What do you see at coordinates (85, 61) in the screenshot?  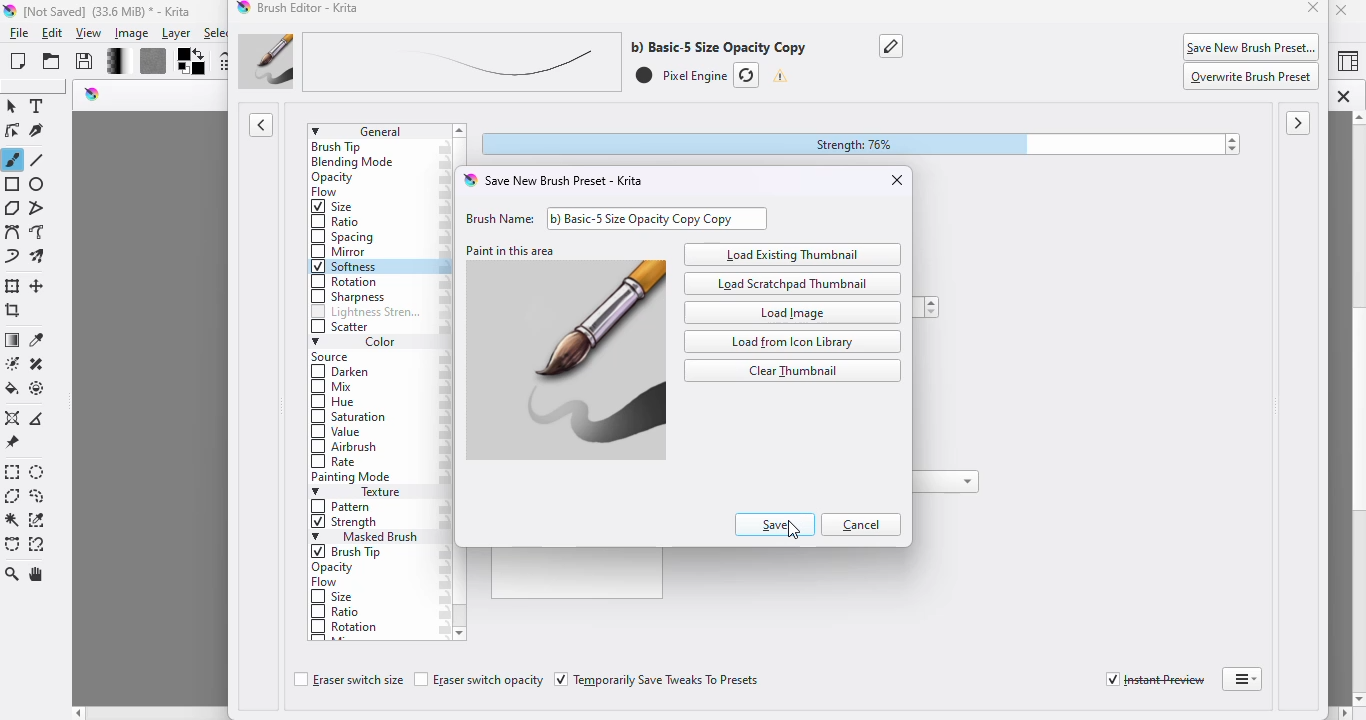 I see `save` at bounding box center [85, 61].